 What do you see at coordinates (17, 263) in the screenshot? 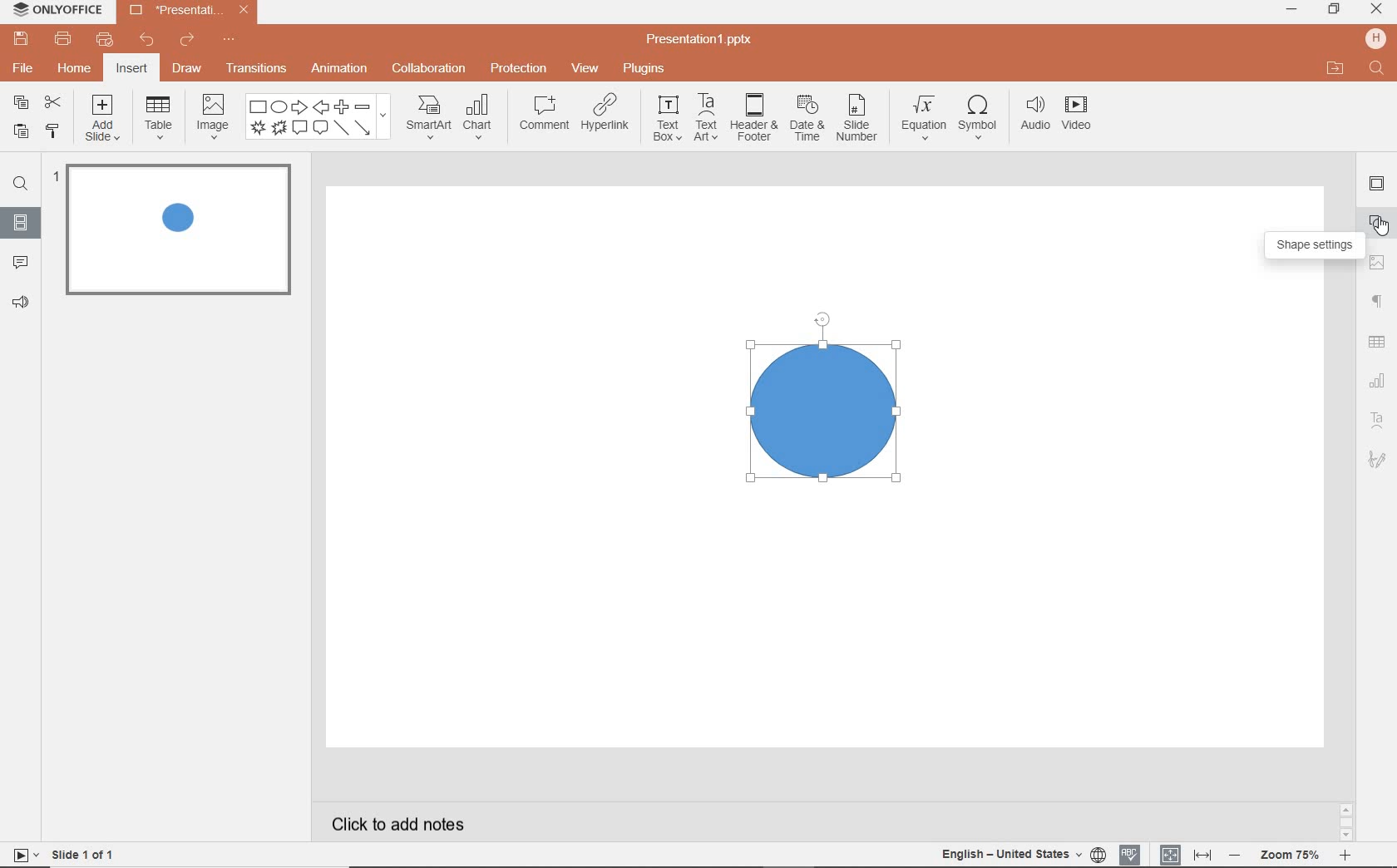
I see `comment` at bounding box center [17, 263].